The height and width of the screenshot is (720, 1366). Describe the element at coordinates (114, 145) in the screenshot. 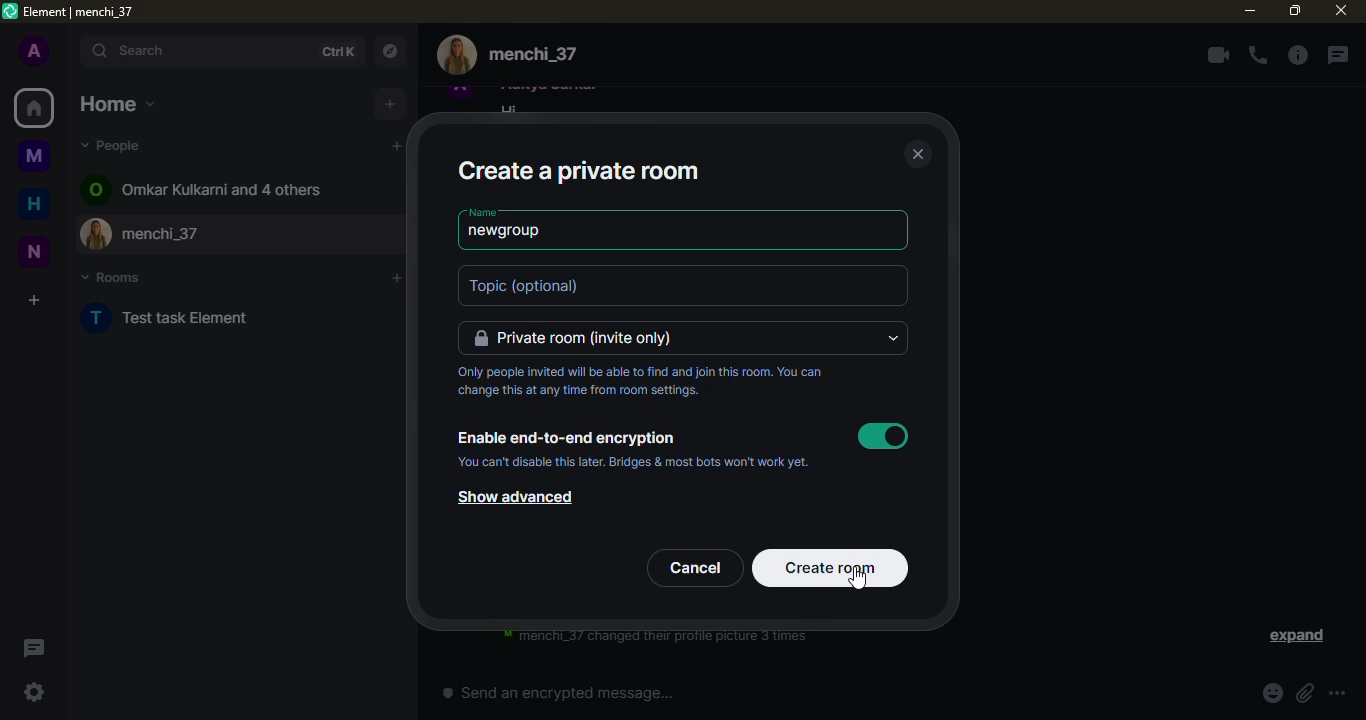

I see `people` at that location.